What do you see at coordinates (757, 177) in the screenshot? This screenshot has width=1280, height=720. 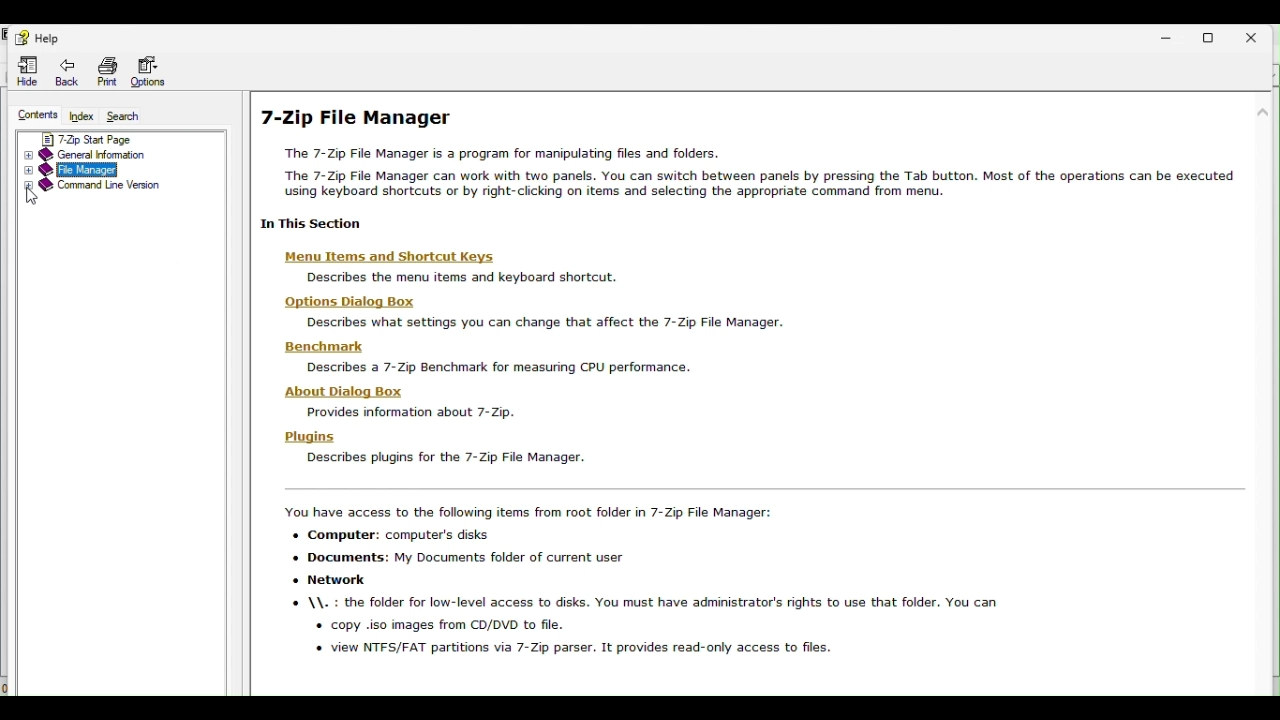 I see `“The 7-Zip File Manager is a program for manipulating files and folders.
The 7-Zip File Manager can work with two panels. You can switch between panels by pressing the Tab button. Most of the operations can be executed
using keyboard shortcuts or by right-clicking on items and selecting the appropriate command from menu.` at bounding box center [757, 177].